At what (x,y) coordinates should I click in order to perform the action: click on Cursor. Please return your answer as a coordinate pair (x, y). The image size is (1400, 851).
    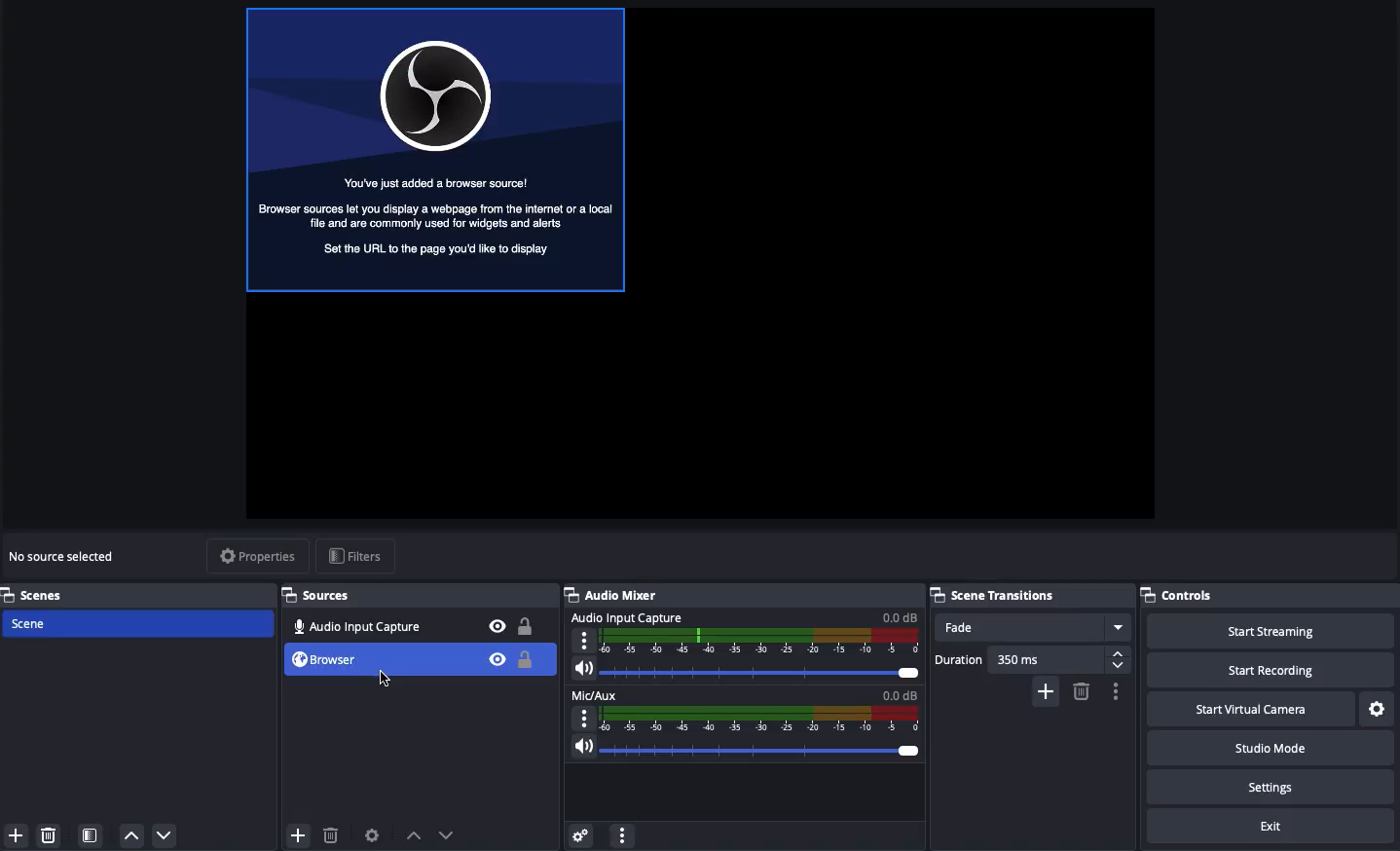
    Looking at the image, I should click on (382, 677).